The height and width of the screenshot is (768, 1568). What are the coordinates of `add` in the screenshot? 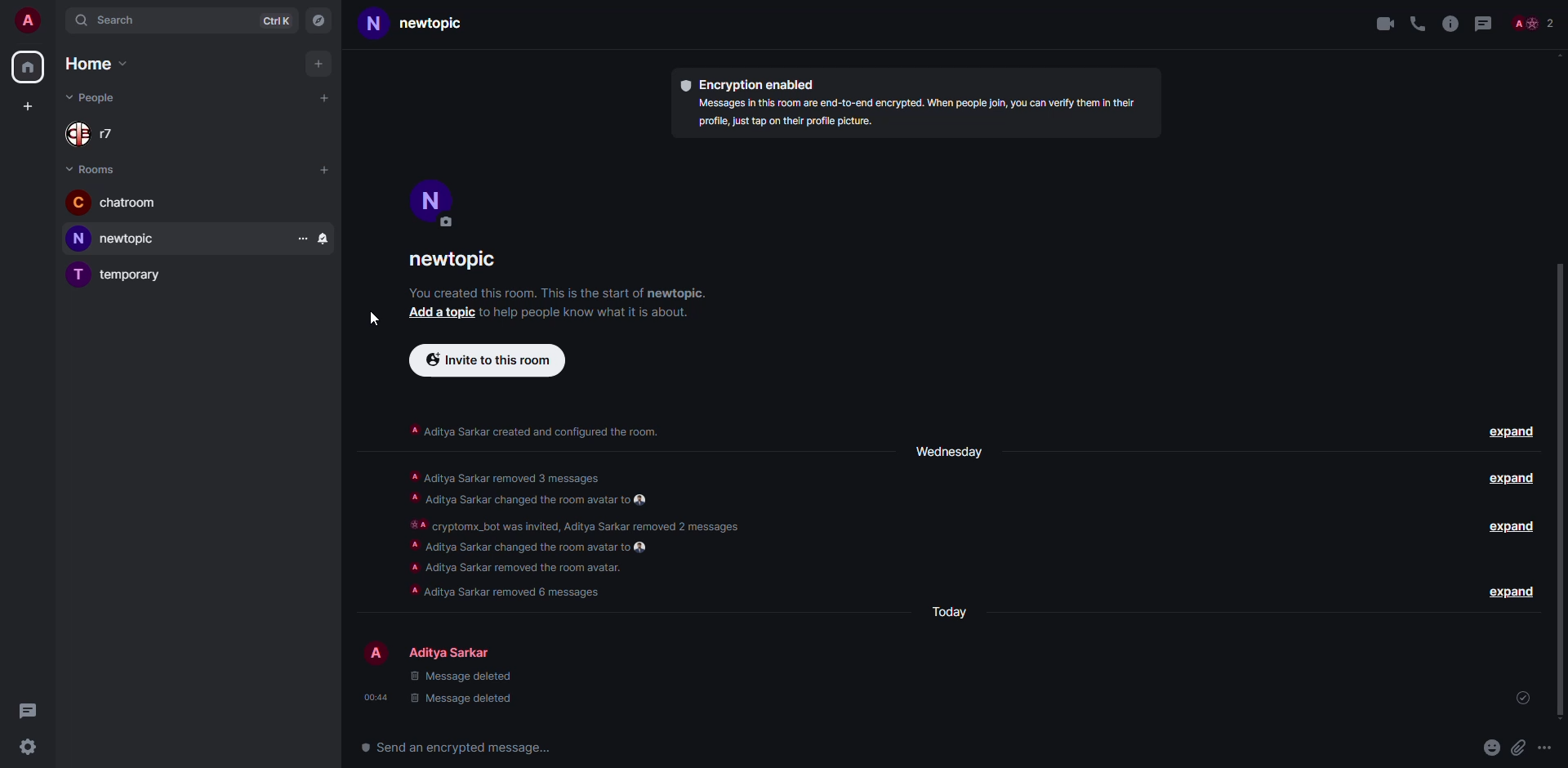 It's located at (325, 97).